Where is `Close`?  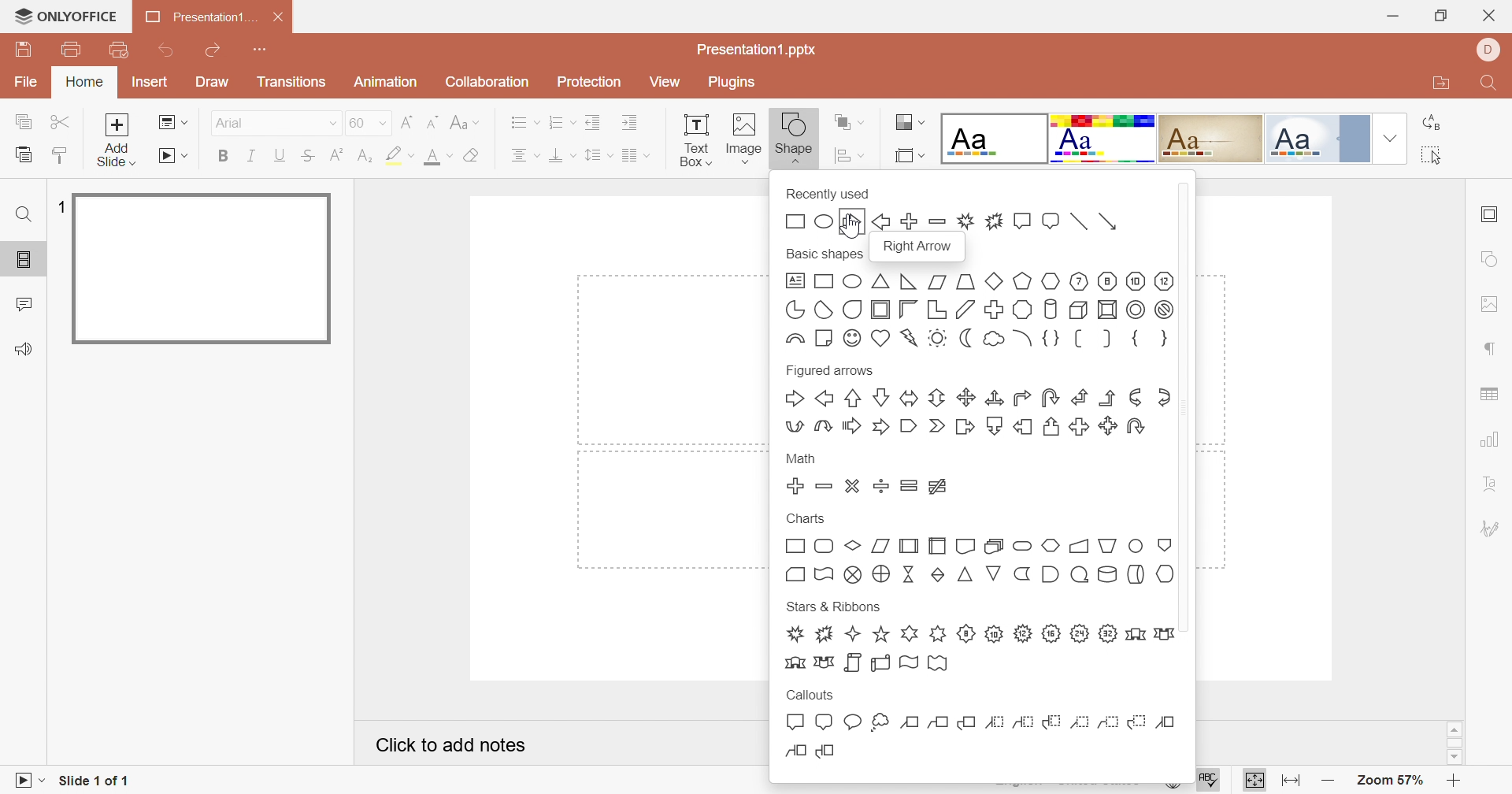 Close is located at coordinates (1488, 17).